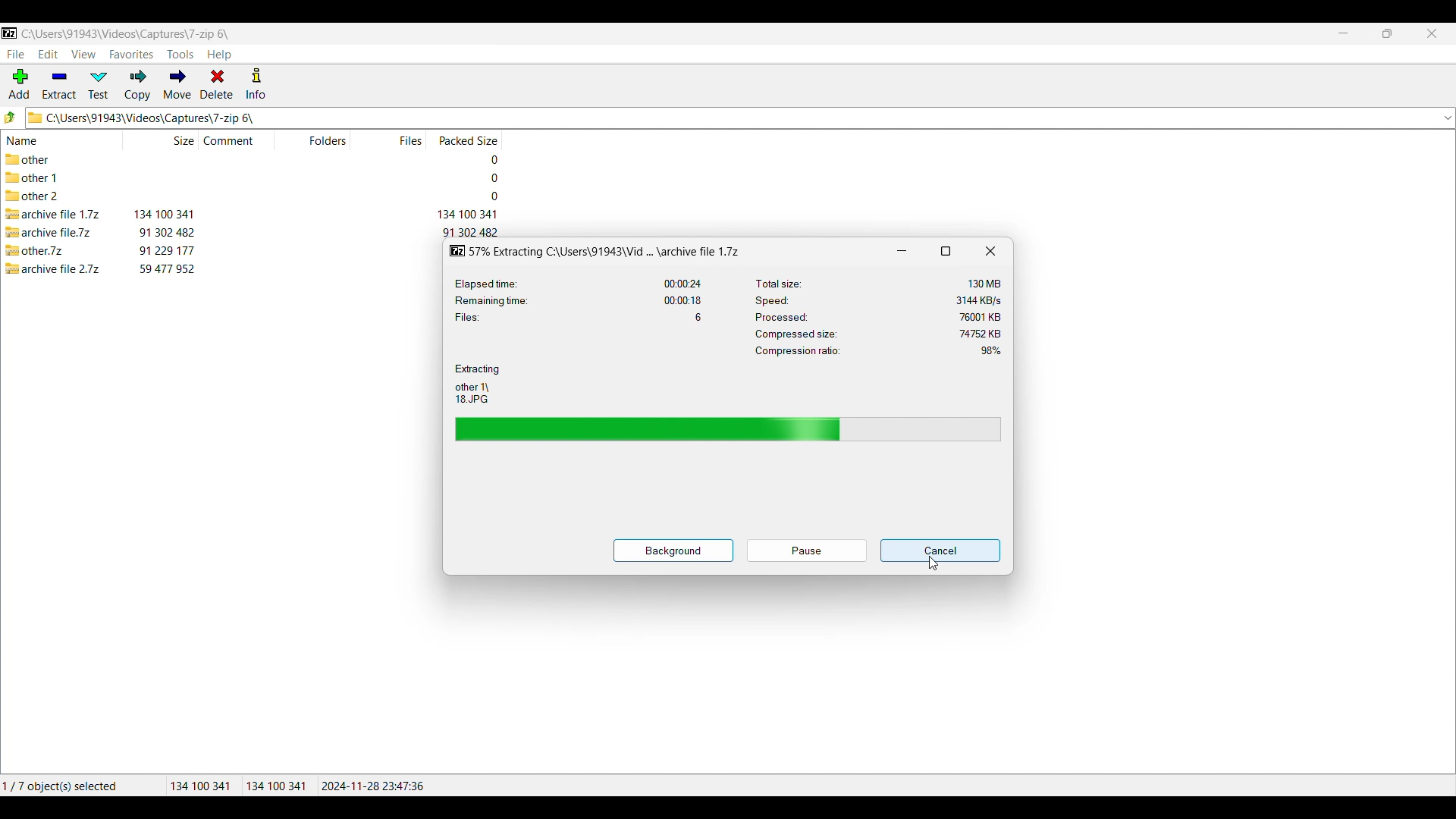  I want to click on Files column, so click(407, 140).